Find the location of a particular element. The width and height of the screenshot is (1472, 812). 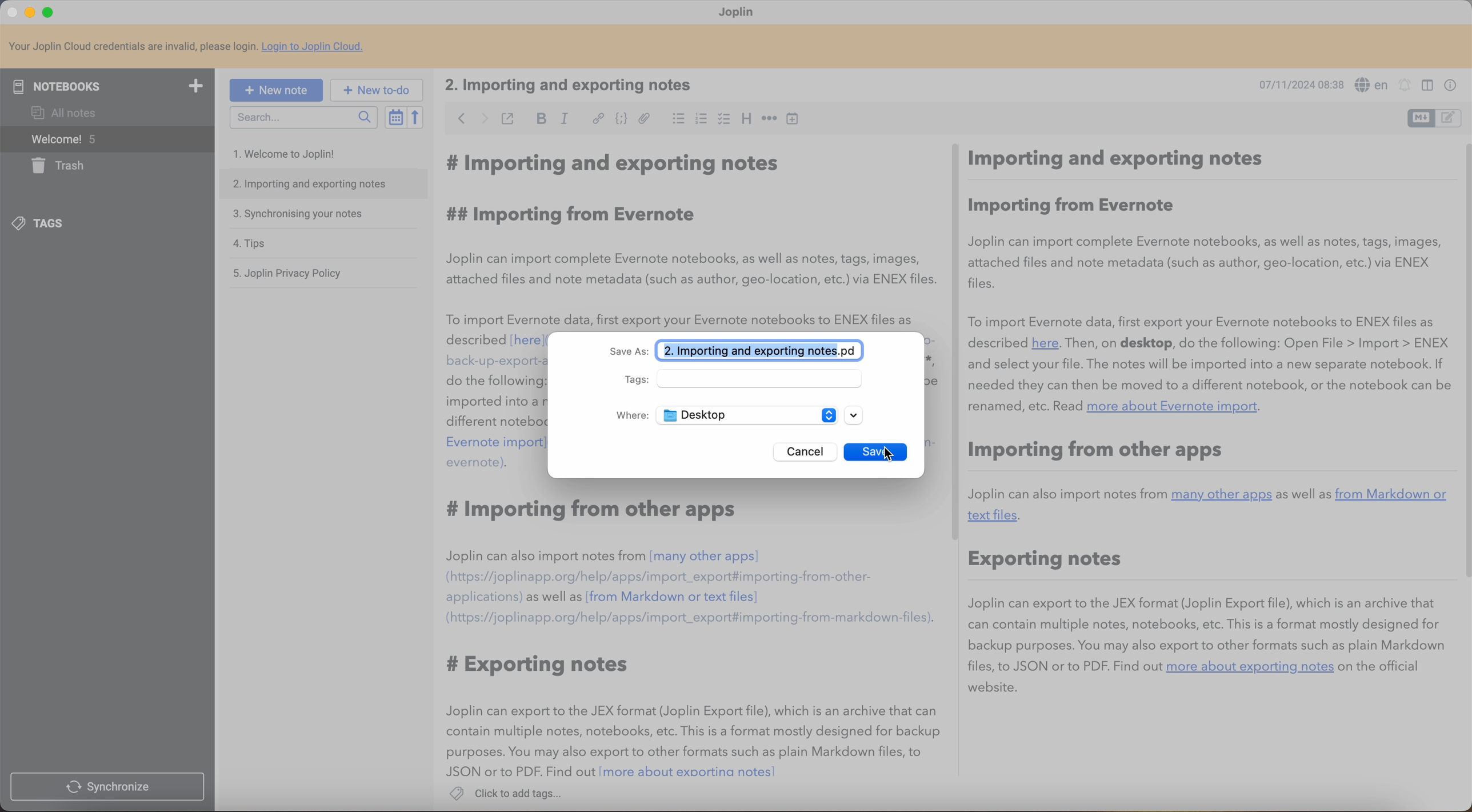

new note is located at coordinates (276, 89).